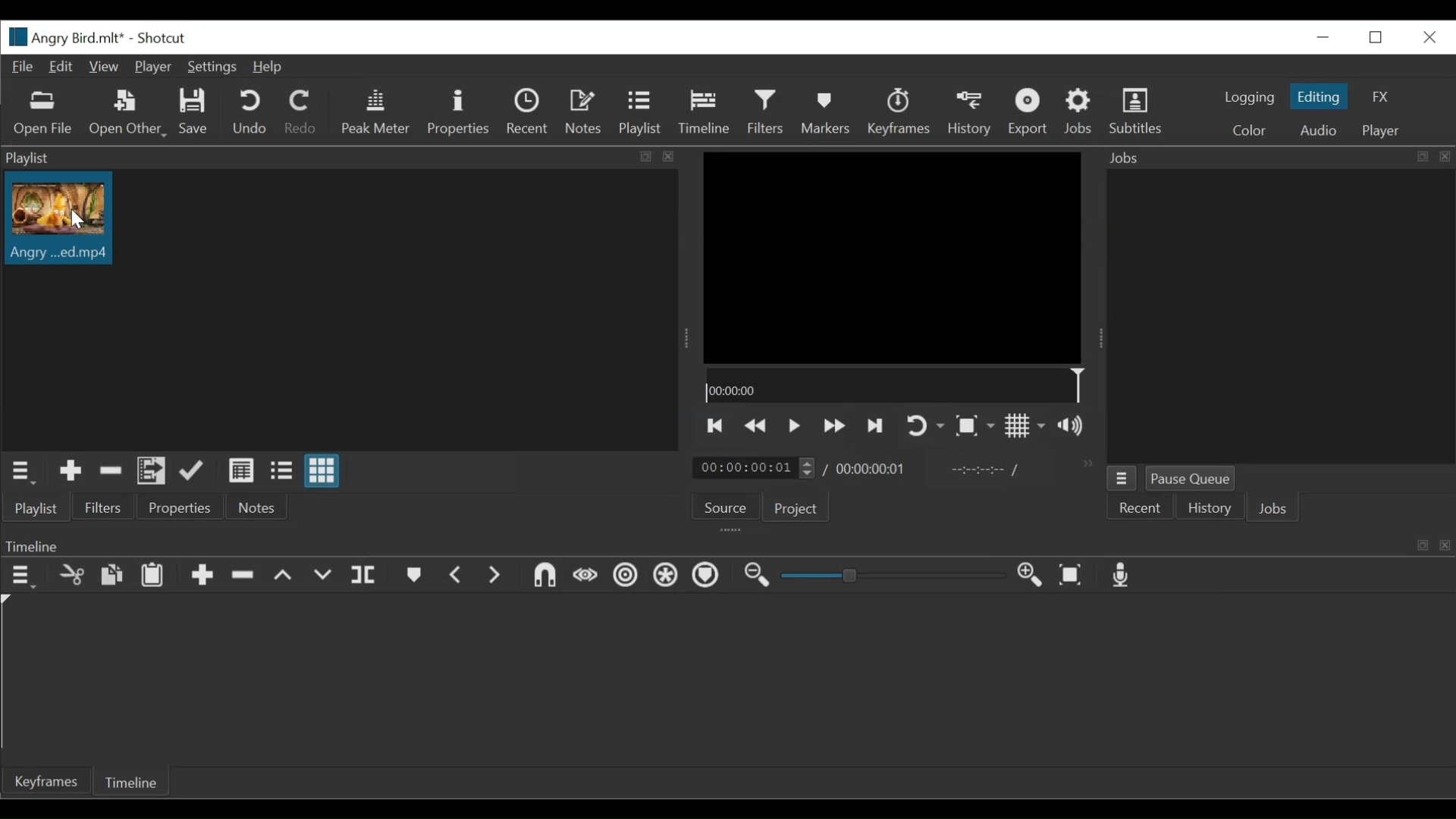  What do you see at coordinates (902, 114) in the screenshot?
I see `Keyframes` at bounding box center [902, 114].